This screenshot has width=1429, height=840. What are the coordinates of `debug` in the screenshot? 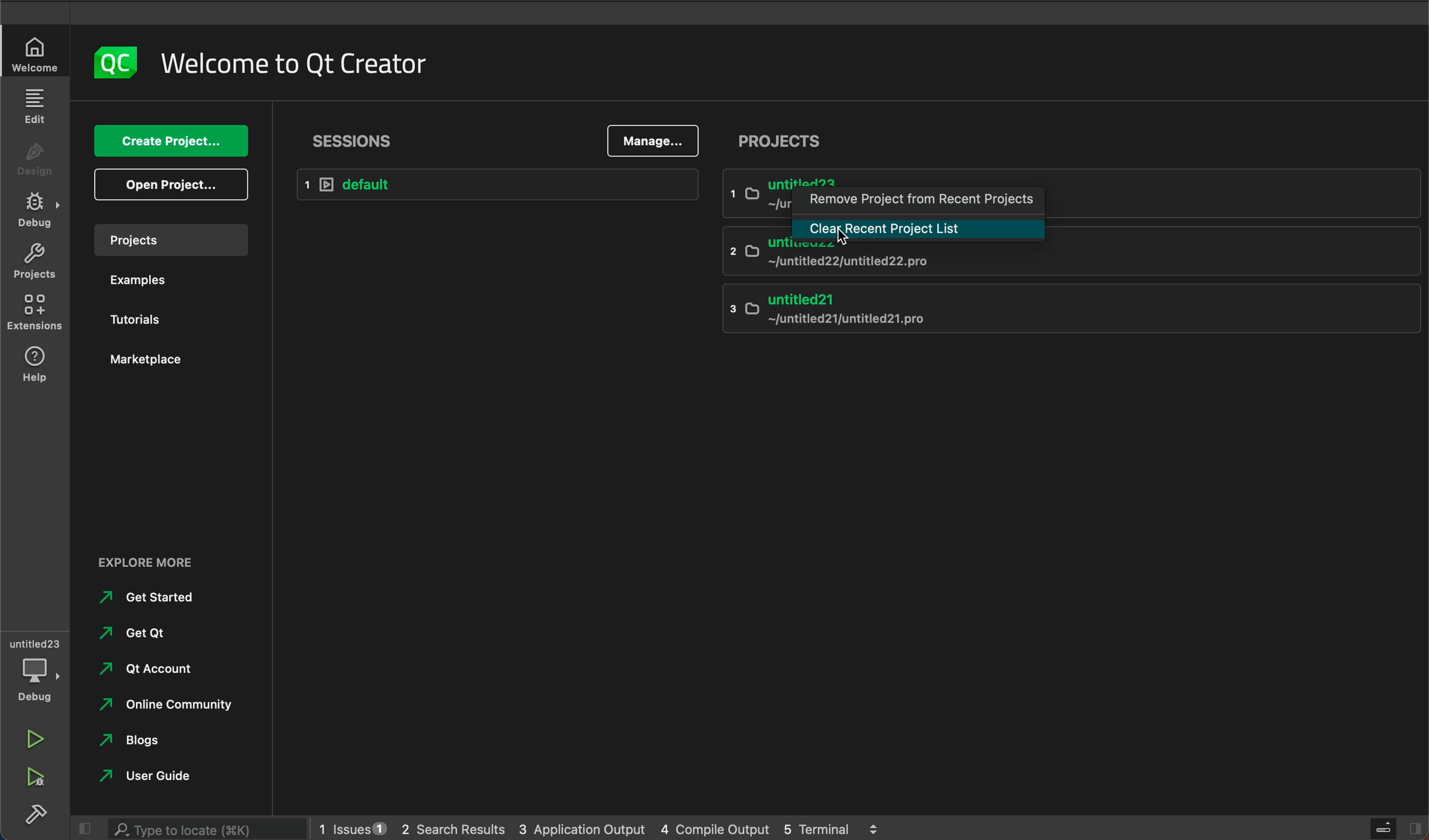 It's located at (38, 667).